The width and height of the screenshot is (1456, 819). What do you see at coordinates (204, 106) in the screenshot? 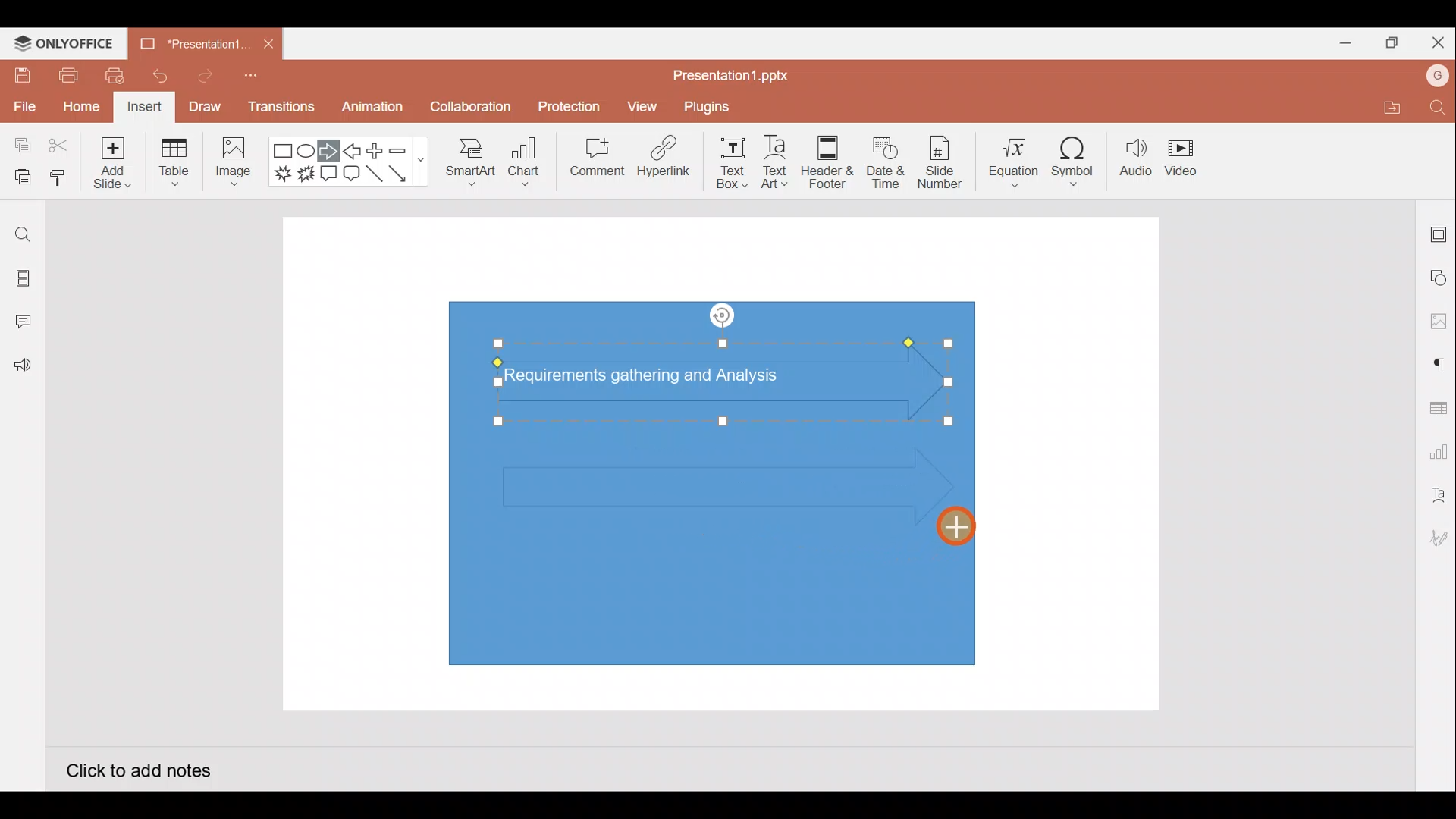
I see `Draw` at bounding box center [204, 106].